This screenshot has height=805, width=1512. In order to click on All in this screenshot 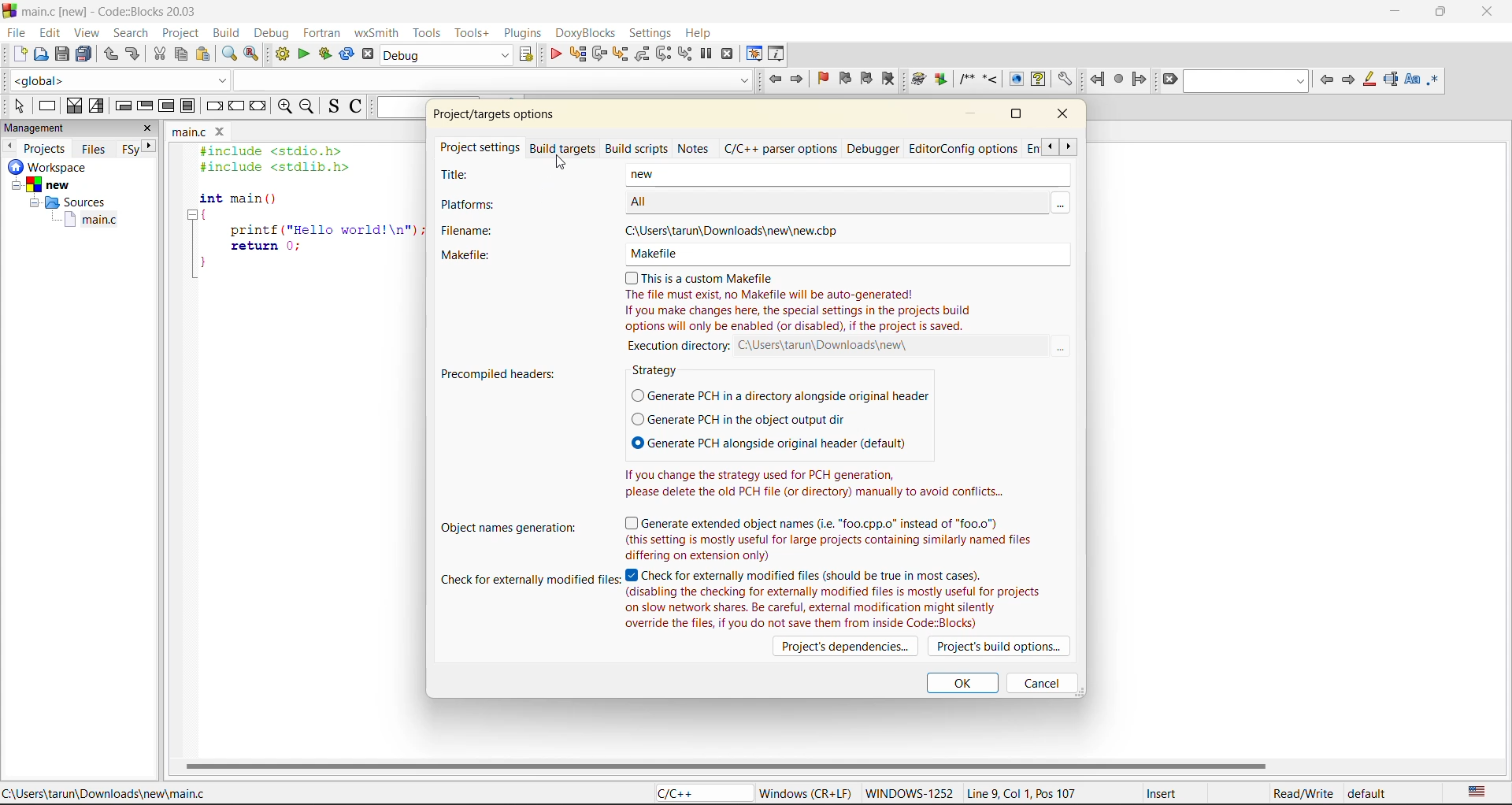, I will do `click(831, 202)`.